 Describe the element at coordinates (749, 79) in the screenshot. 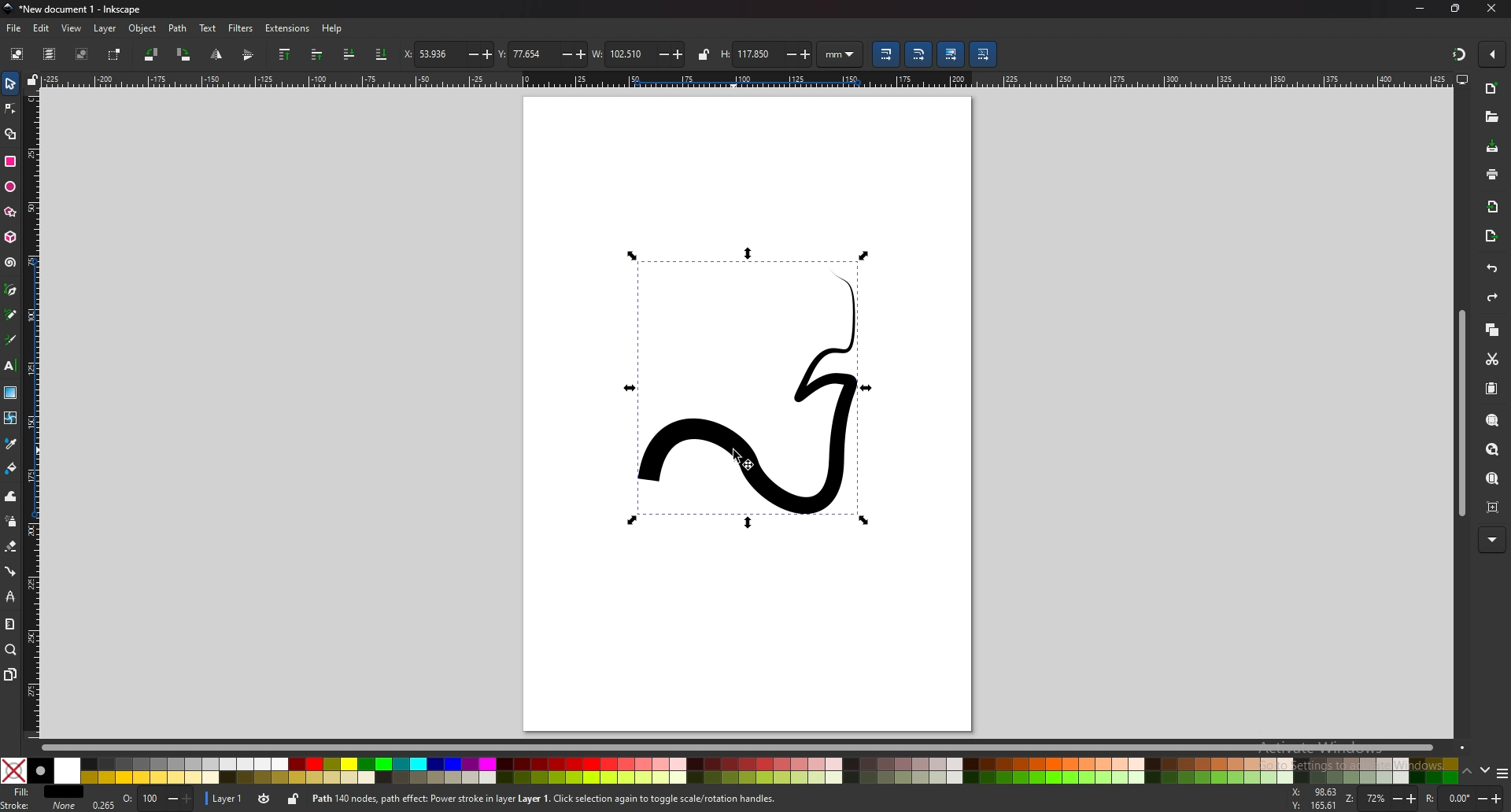

I see `horizontal ruler` at that location.